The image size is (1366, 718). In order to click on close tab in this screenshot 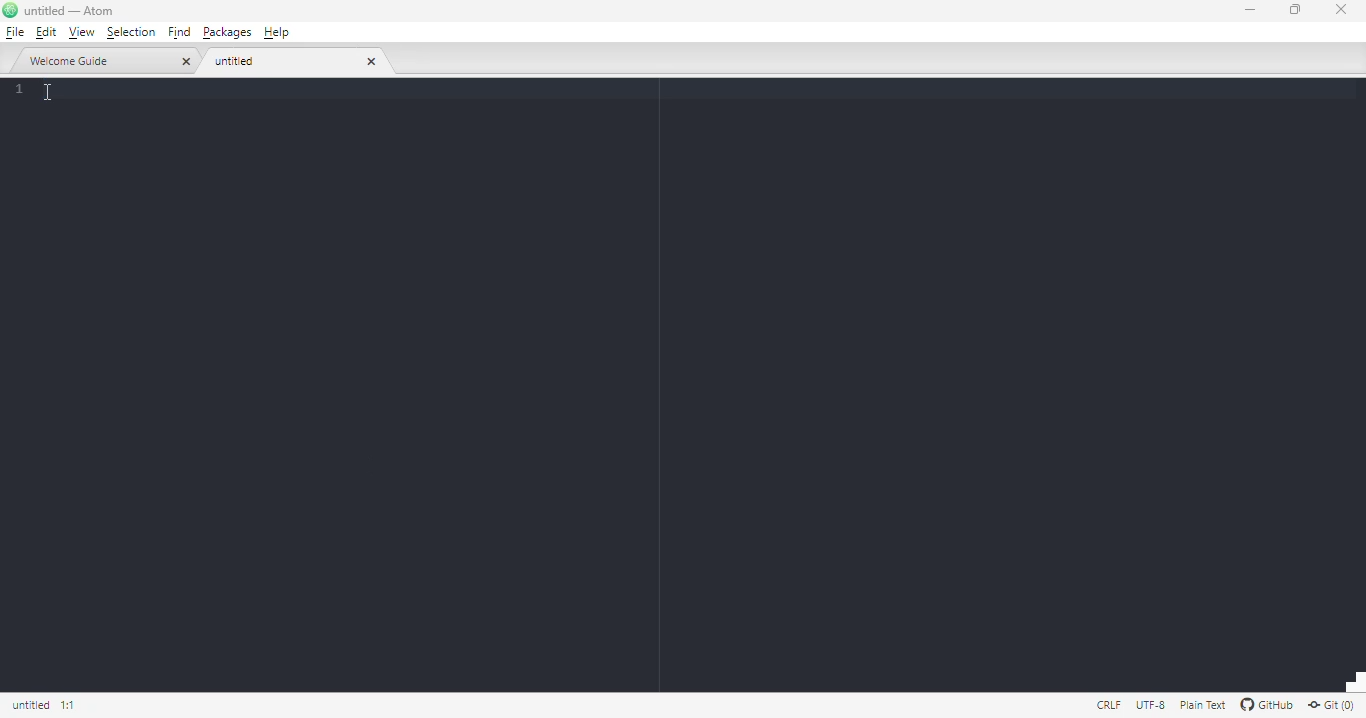, I will do `click(372, 61)`.